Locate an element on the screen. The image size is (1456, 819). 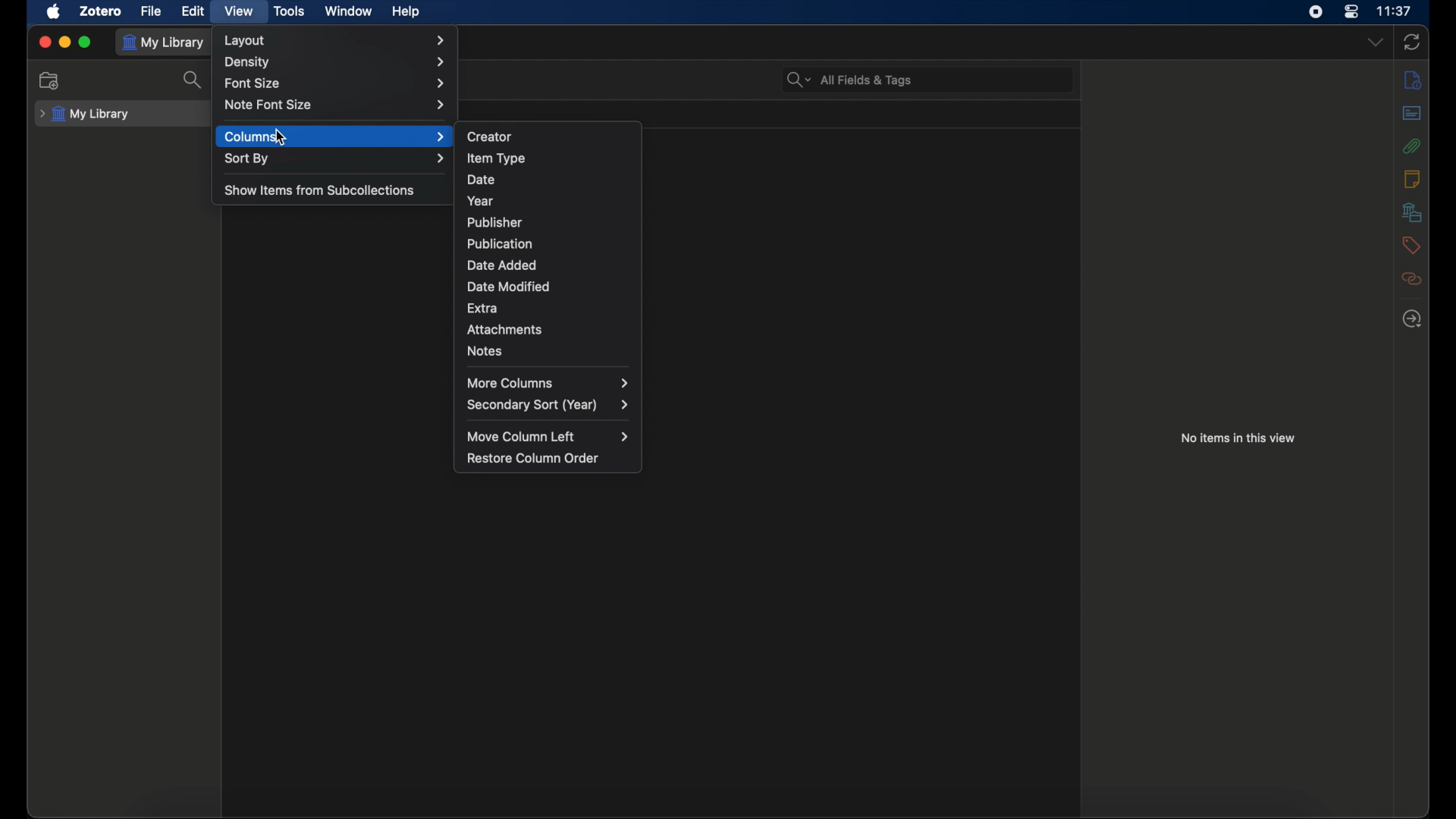
publication is located at coordinates (499, 243).